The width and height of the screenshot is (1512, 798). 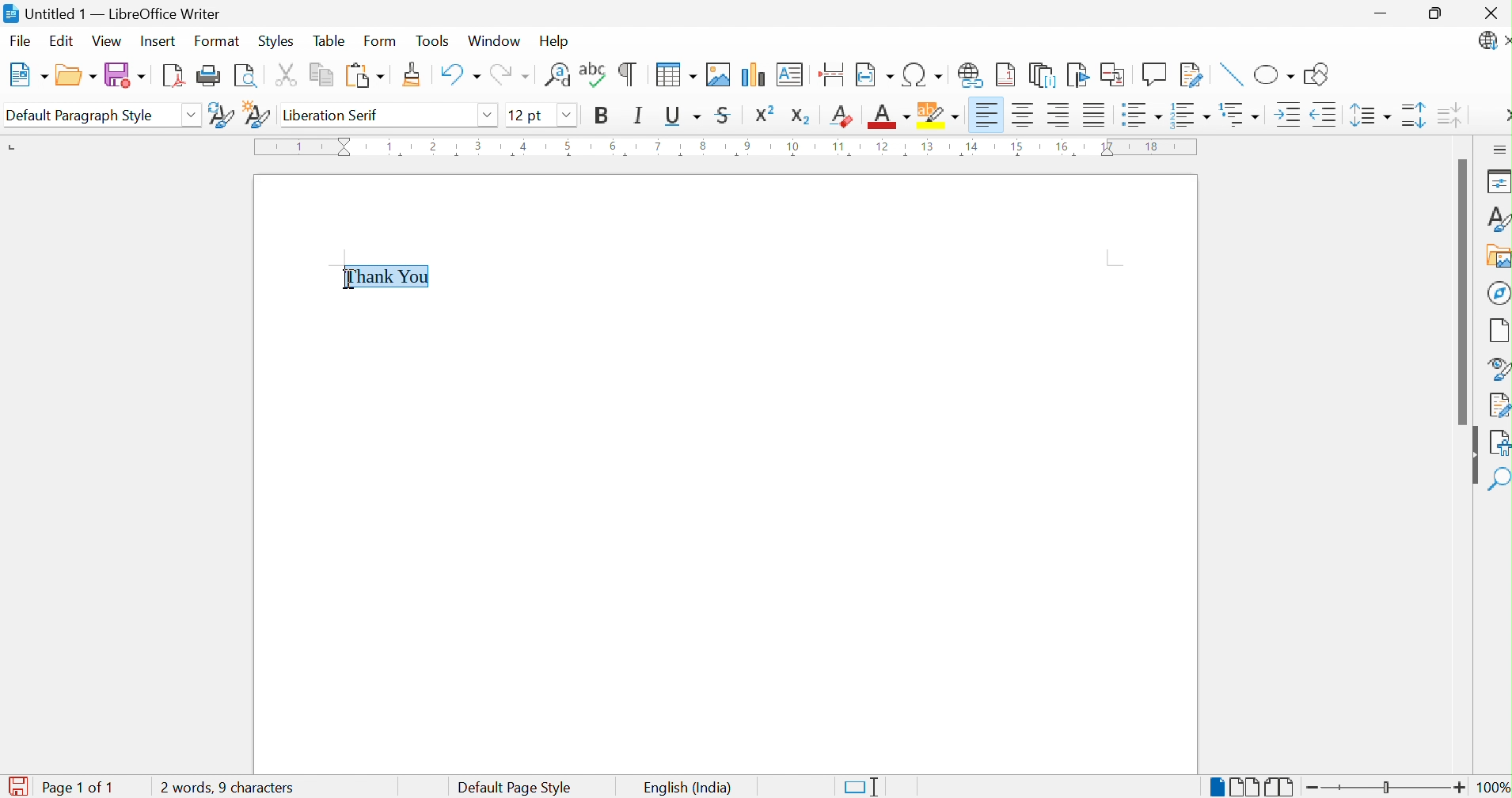 I want to click on Ruler, so click(x=724, y=149).